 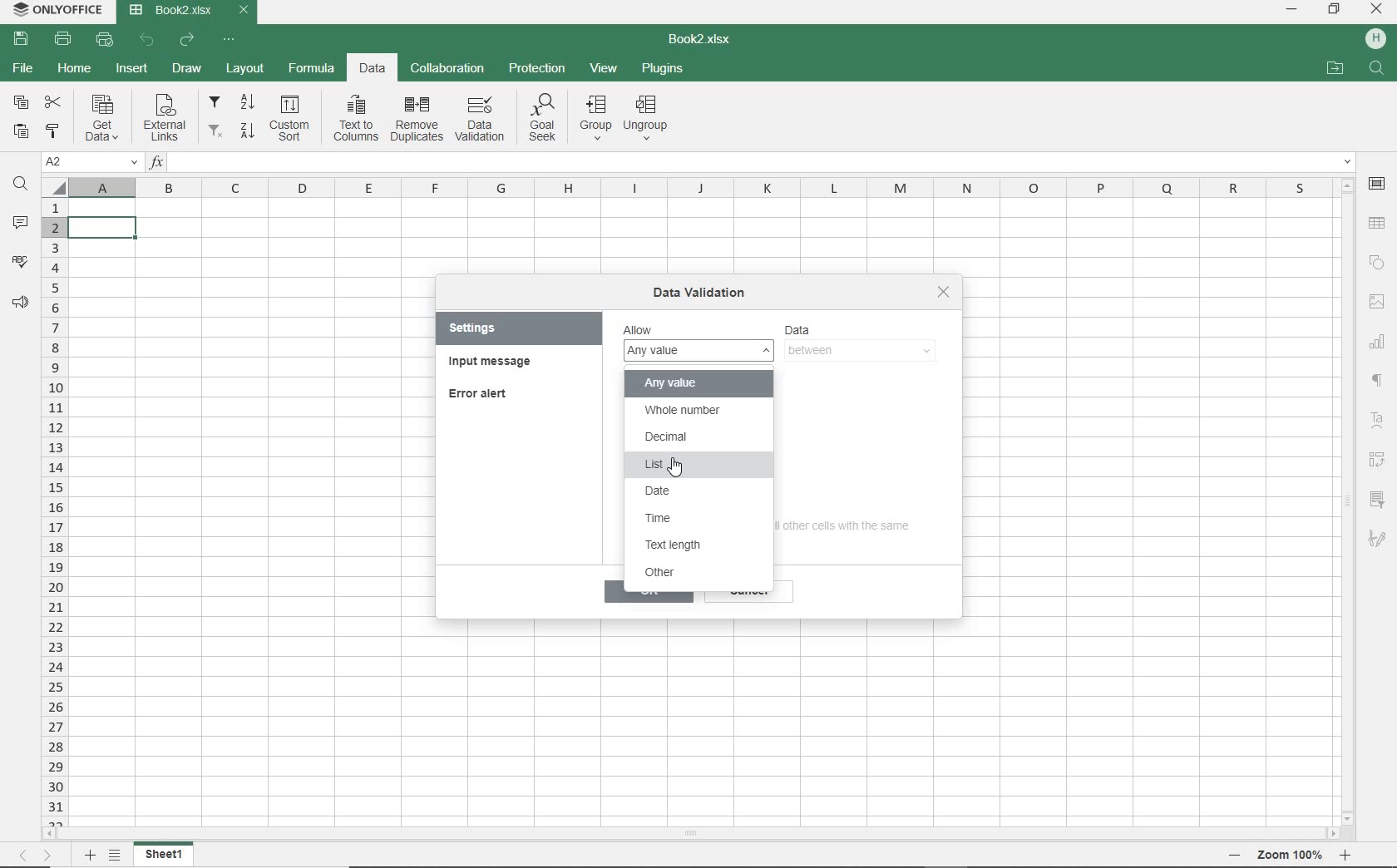 What do you see at coordinates (53, 103) in the screenshot?
I see `CUT` at bounding box center [53, 103].